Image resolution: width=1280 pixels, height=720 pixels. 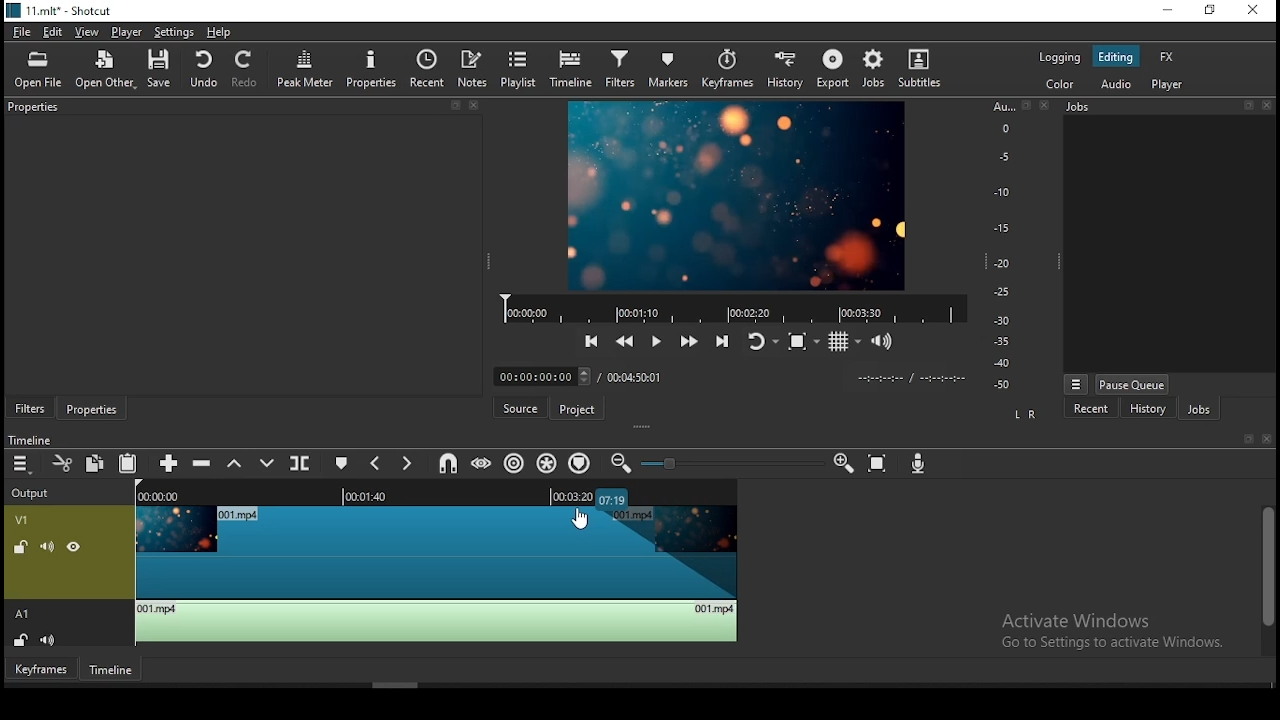 What do you see at coordinates (843, 463) in the screenshot?
I see `zoom timeline` at bounding box center [843, 463].